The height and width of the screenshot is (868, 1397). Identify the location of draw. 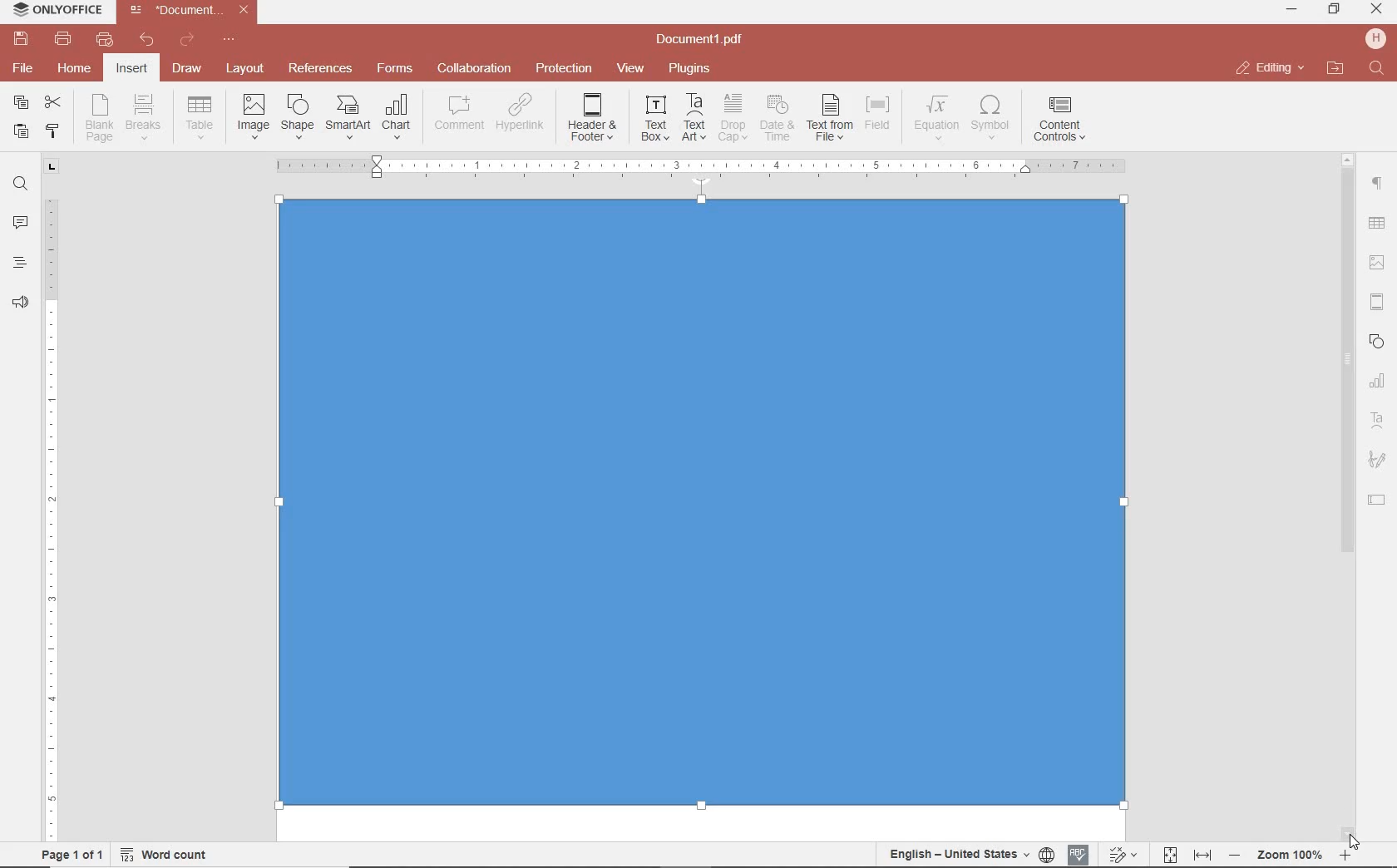
(188, 67).